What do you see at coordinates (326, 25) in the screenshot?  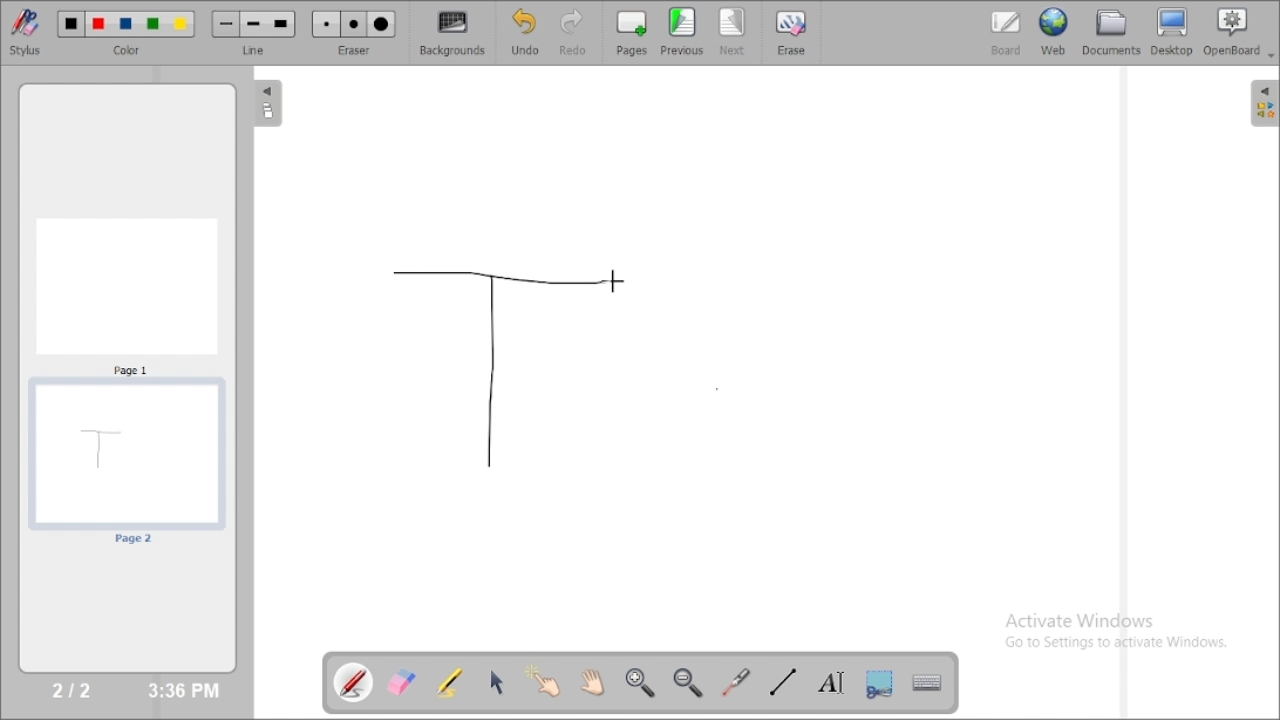 I see `Small eraser` at bounding box center [326, 25].